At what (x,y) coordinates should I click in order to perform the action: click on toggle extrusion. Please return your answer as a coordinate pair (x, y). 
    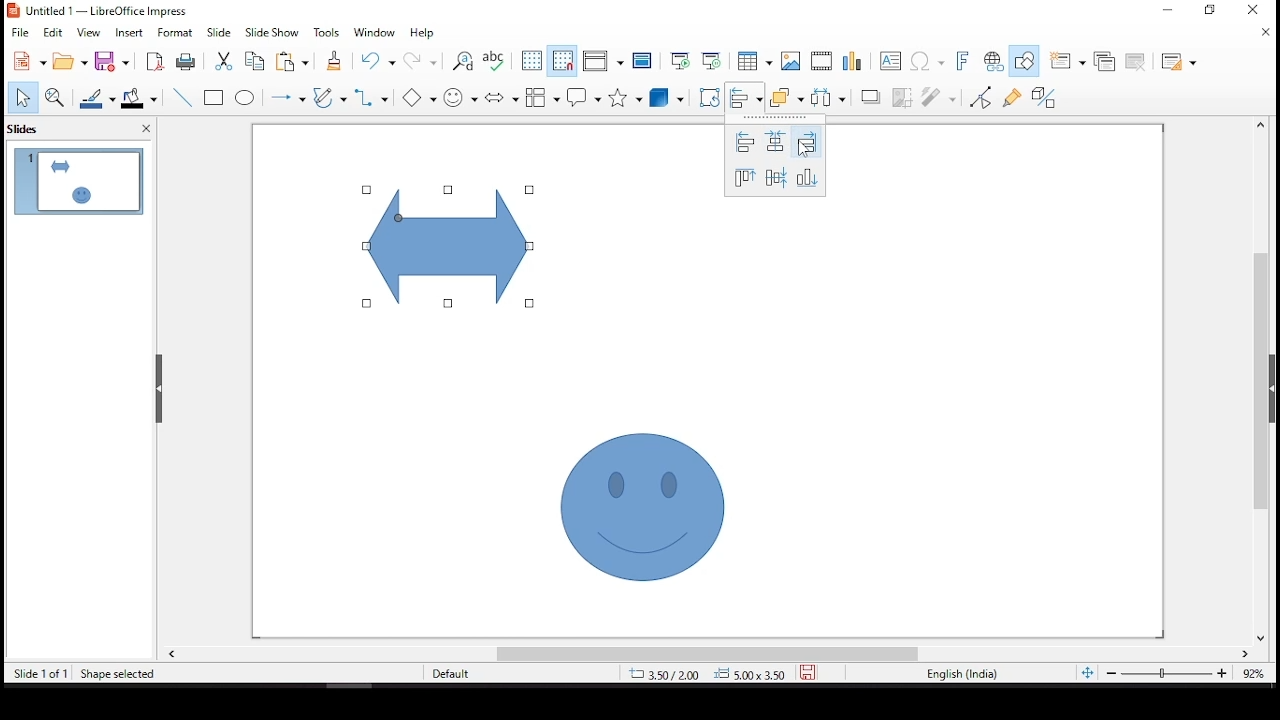
    Looking at the image, I should click on (1043, 97).